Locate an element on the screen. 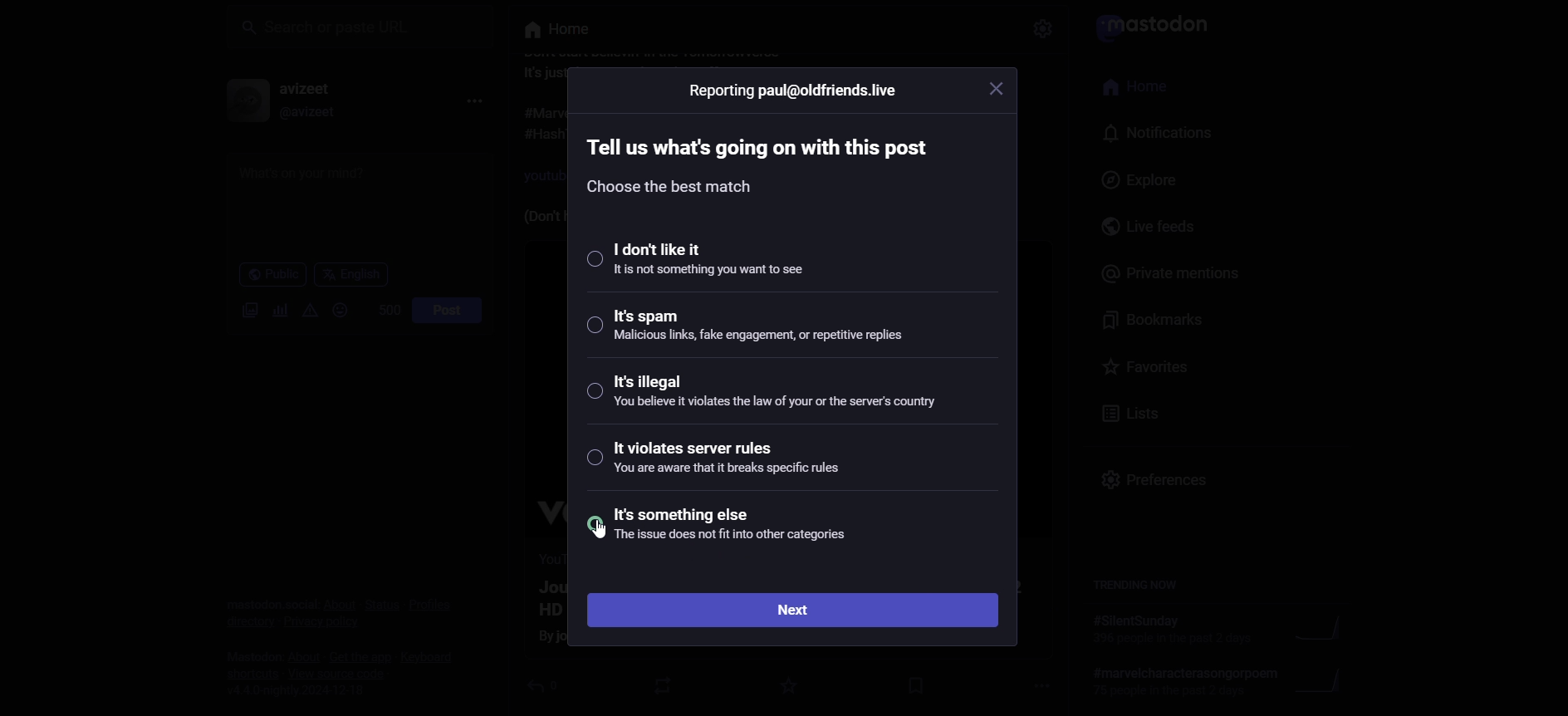 Image resolution: width=1568 pixels, height=716 pixels. explore is located at coordinates (1136, 180).